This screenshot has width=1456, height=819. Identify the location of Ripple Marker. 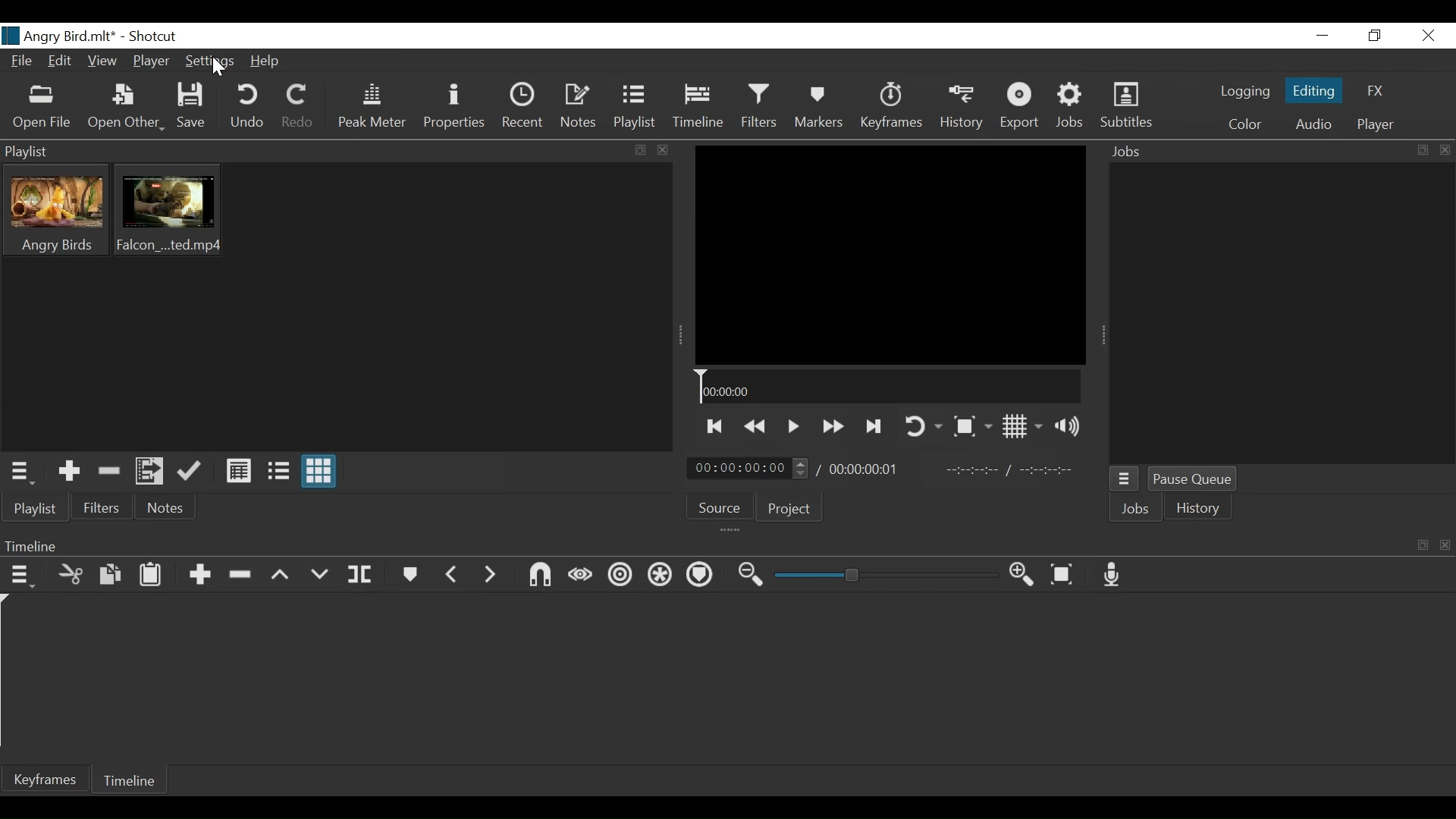
(700, 576).